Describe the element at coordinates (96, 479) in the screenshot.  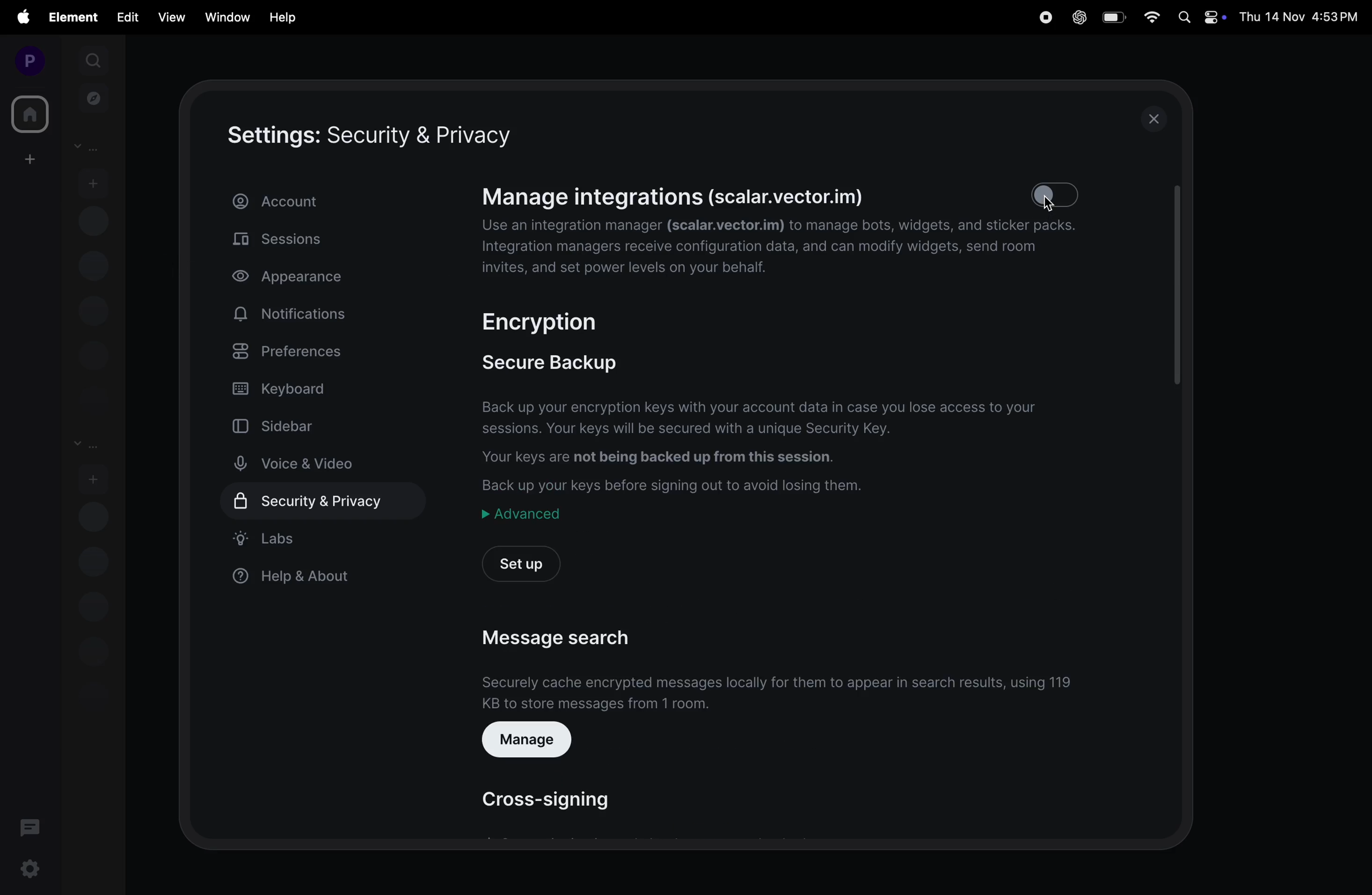
I see `add room` at that location.